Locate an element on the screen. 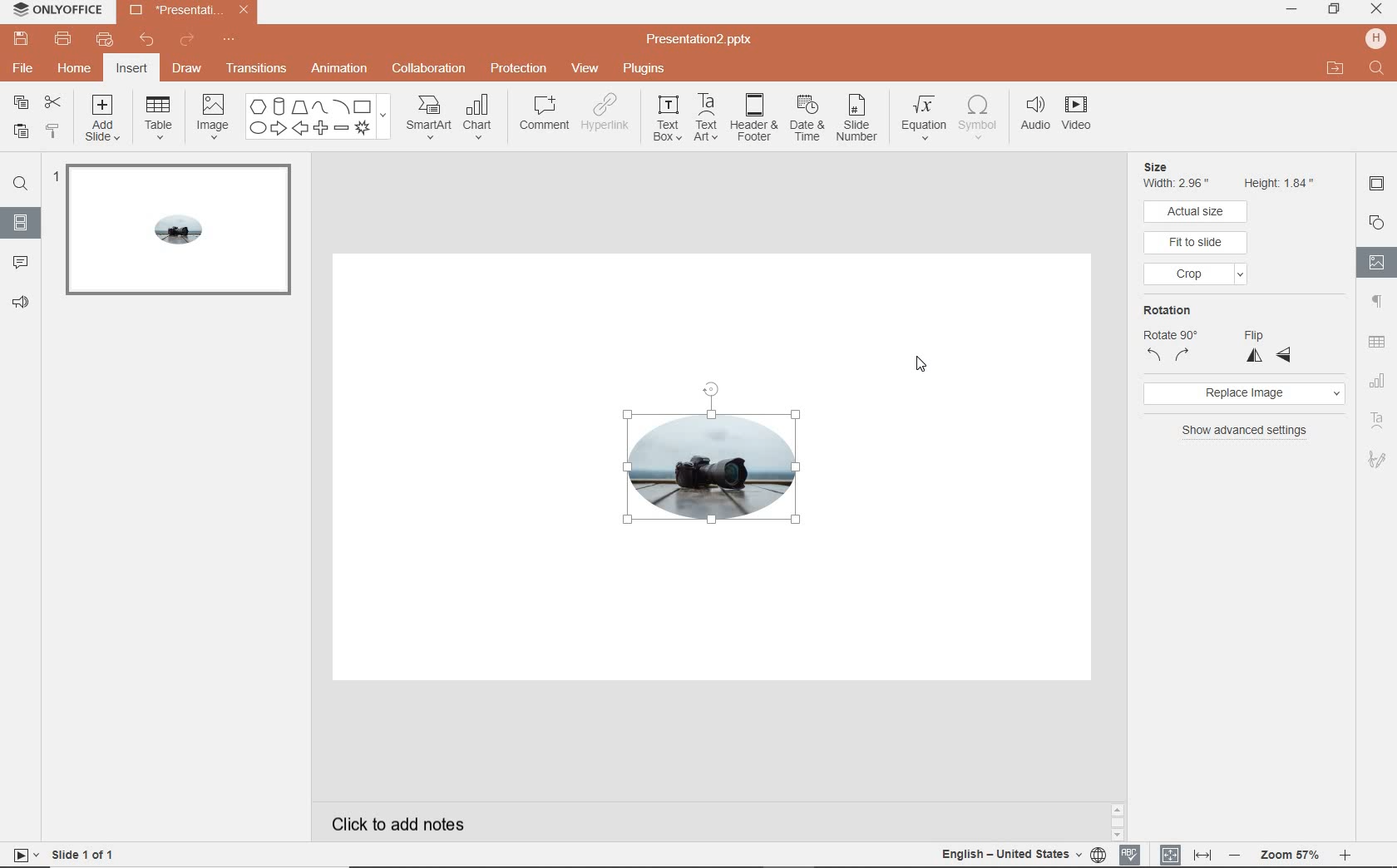 This screenshot has height=868, width=1397. actual size is located at coordinates (1197, 211).